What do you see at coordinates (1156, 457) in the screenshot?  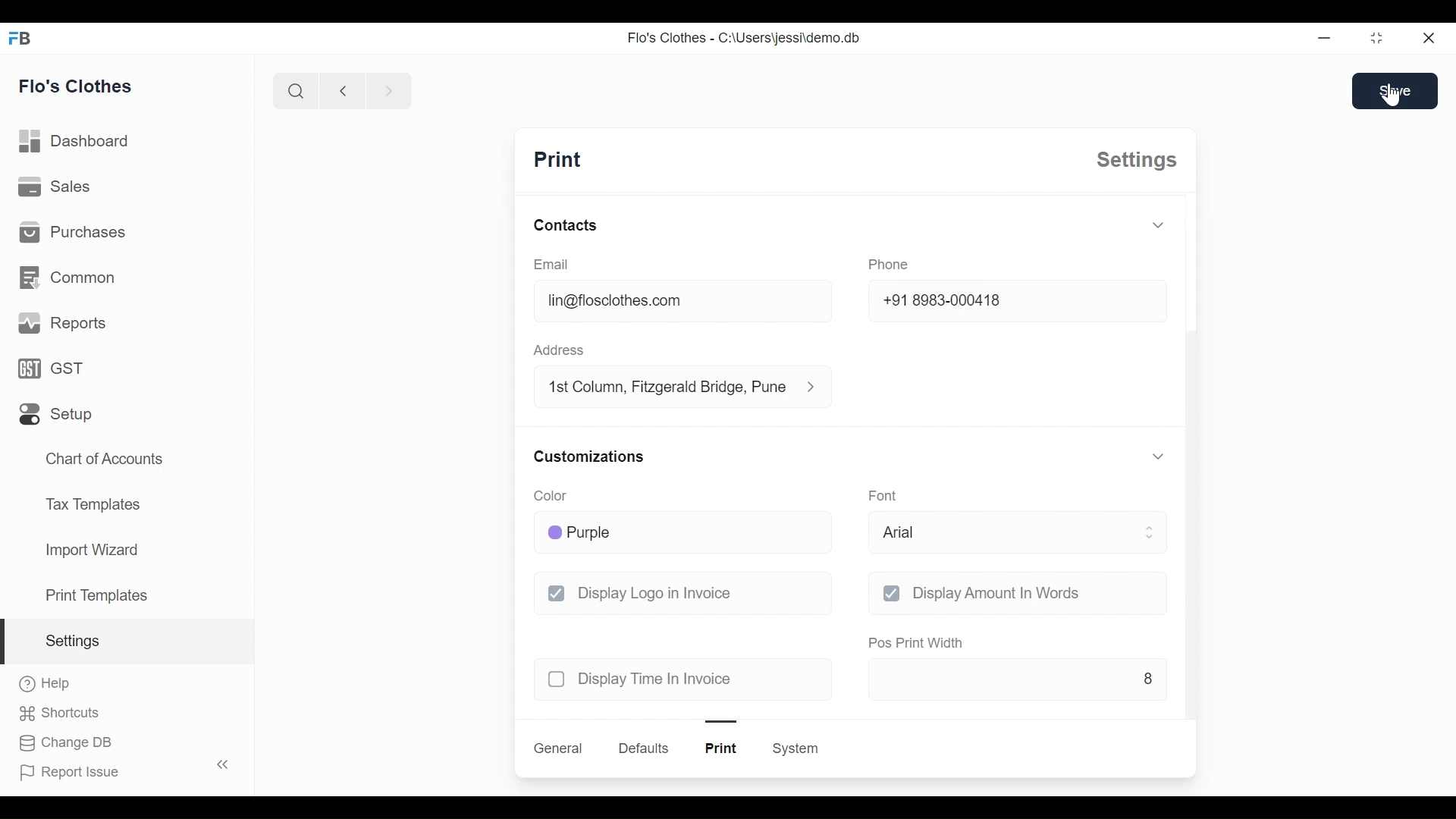 I see `toggle expand/collapse` at bounding box center [1156, 457].